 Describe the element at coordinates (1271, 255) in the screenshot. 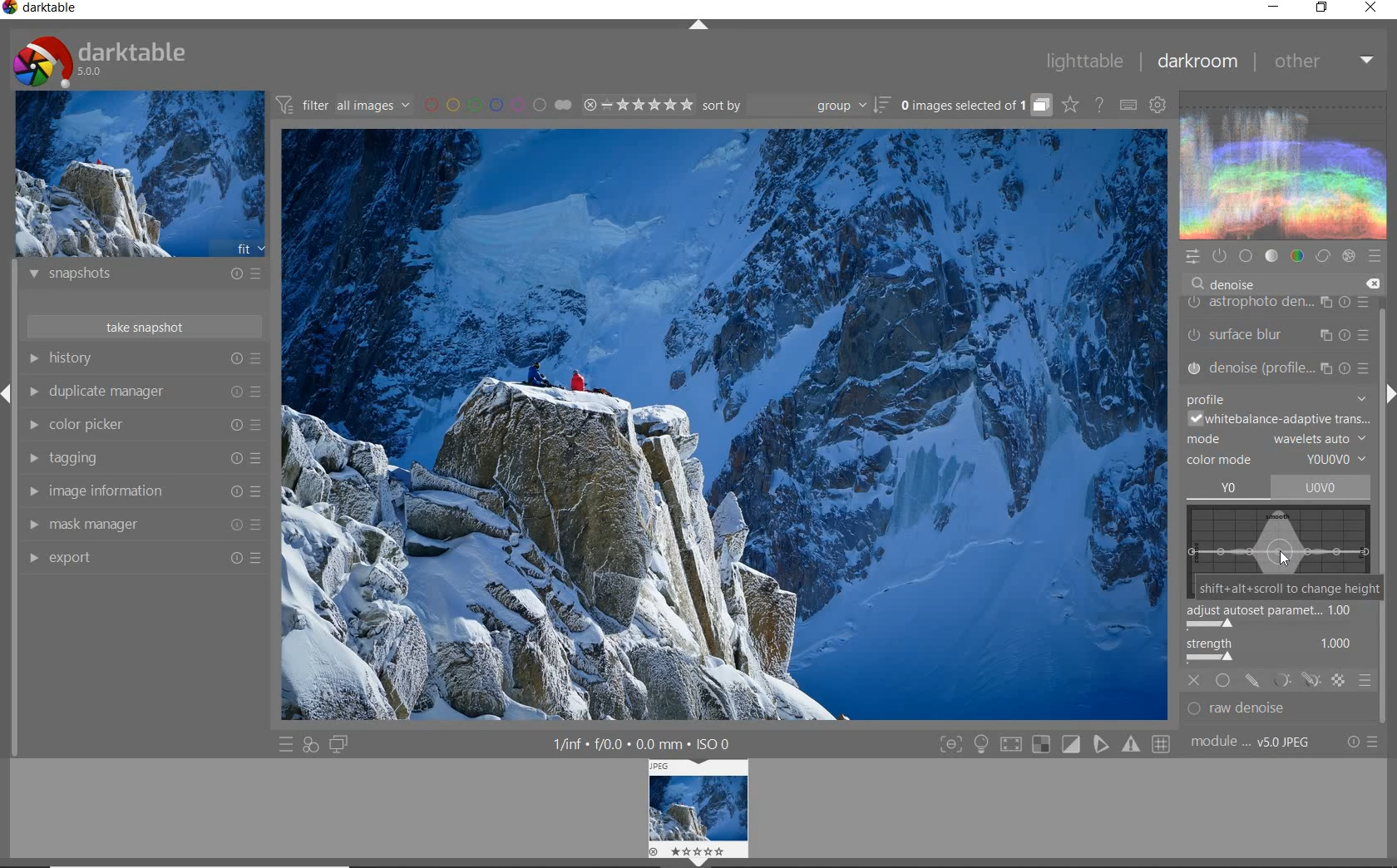

I see `tone` at that location.